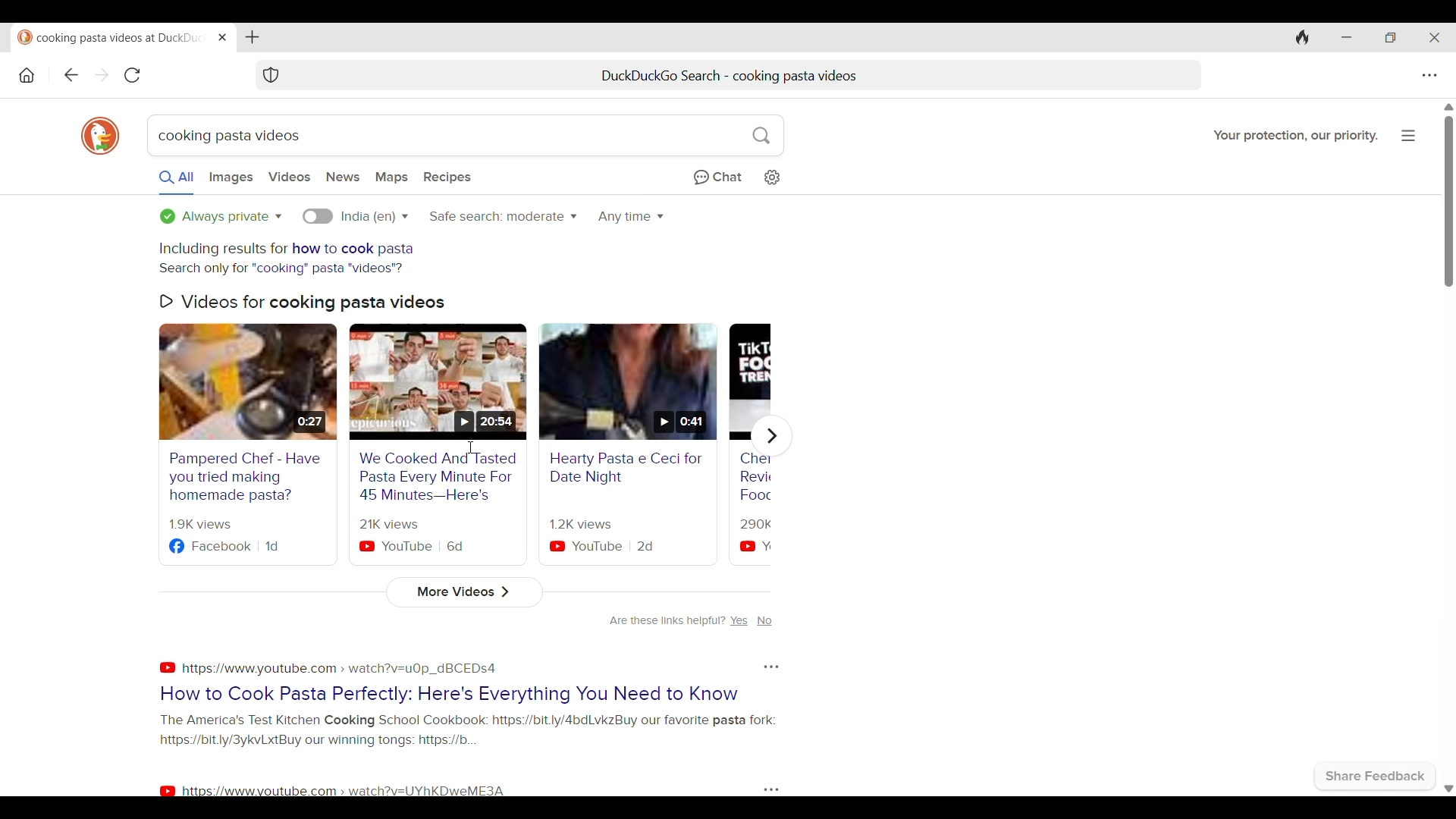 This screenshot has height=819, width=1456. What do you see at coordinates (1449, 201) in the screenshot?
I see `Vertical scroll bar` at bounding box center [1449, 201].